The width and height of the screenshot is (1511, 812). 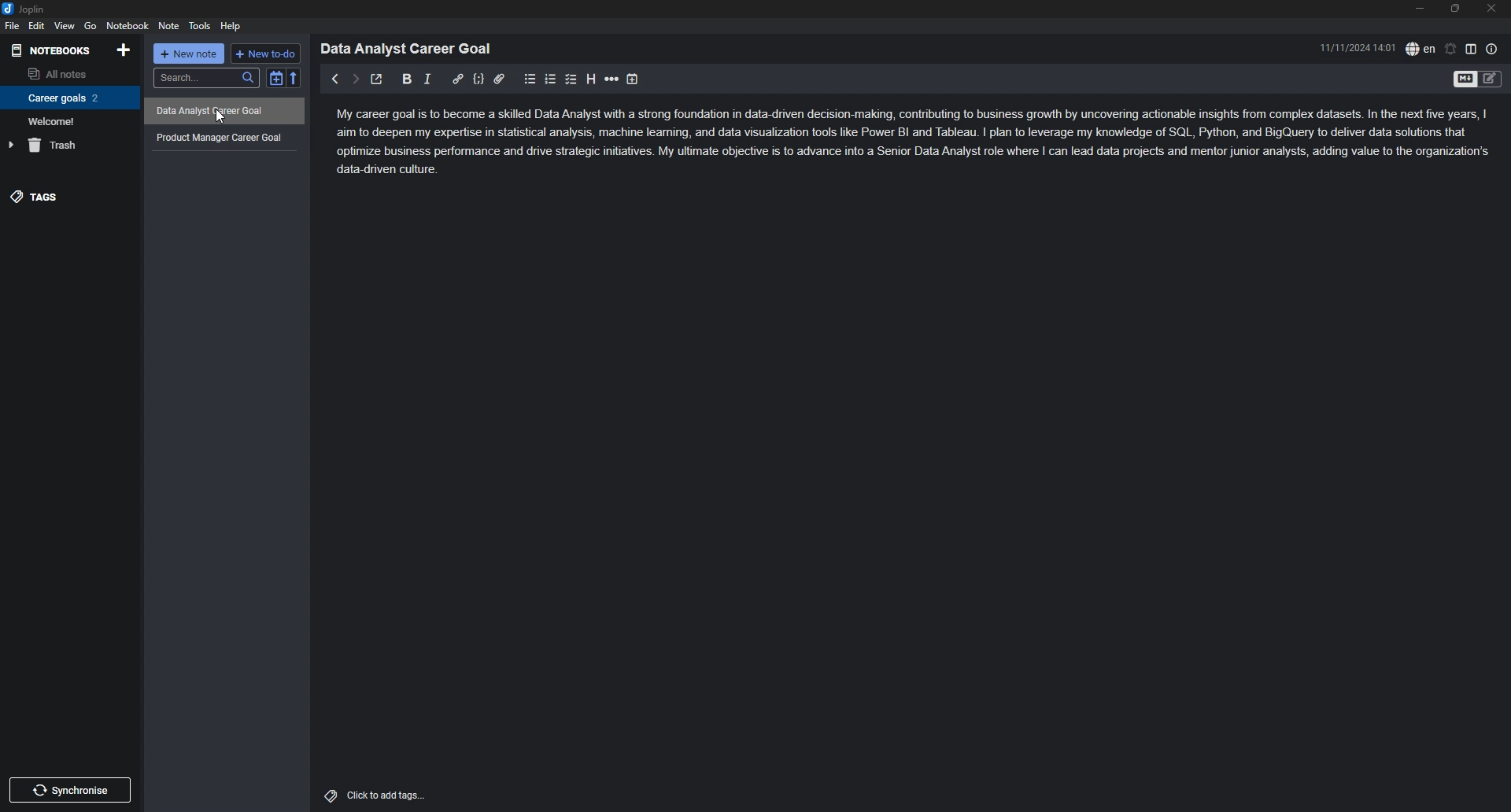 I want to click on italic, so click(x=427, y=79).